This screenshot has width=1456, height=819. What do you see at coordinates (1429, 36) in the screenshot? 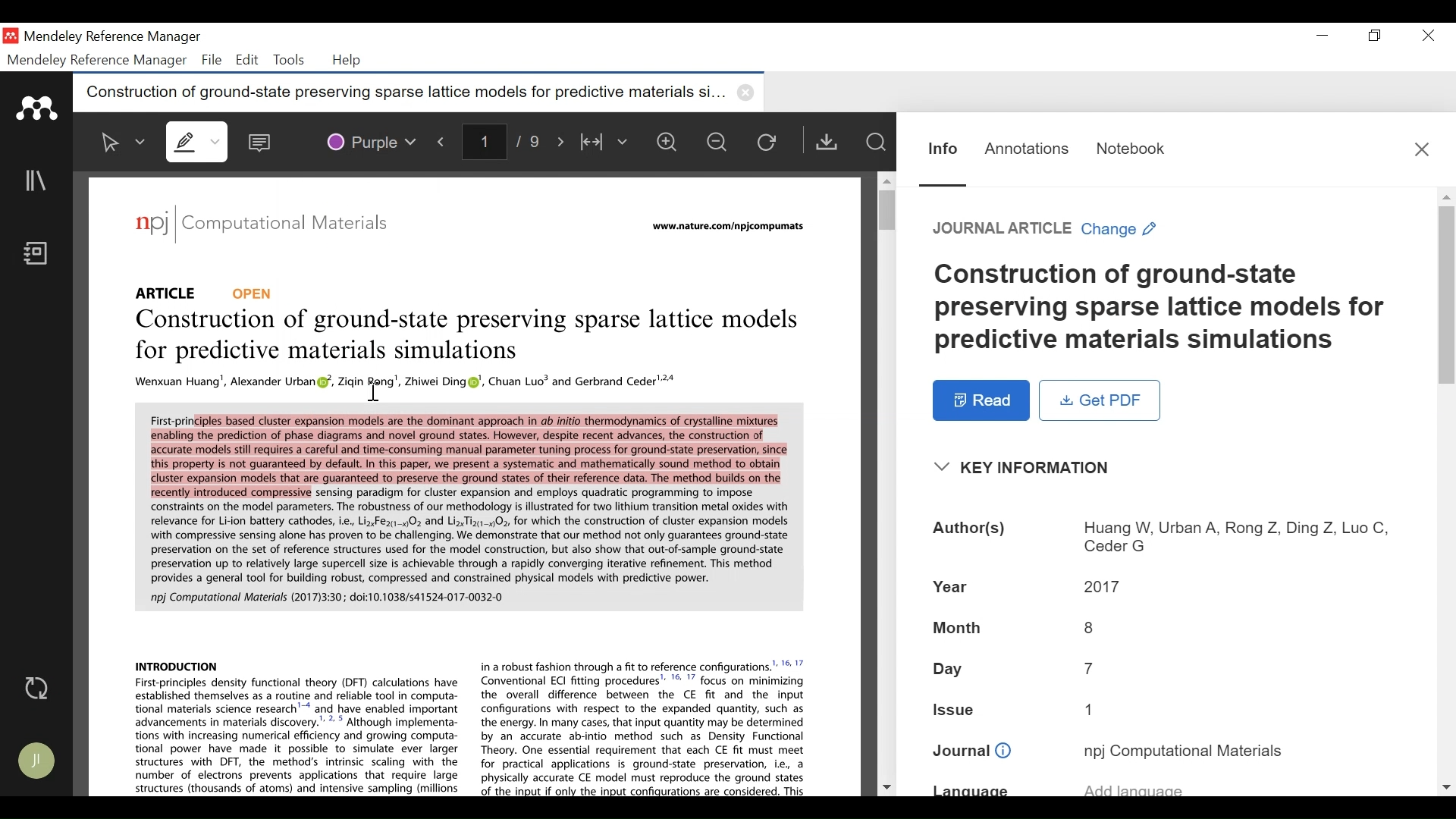
I see `Close` at bounding box center [1429, 36].